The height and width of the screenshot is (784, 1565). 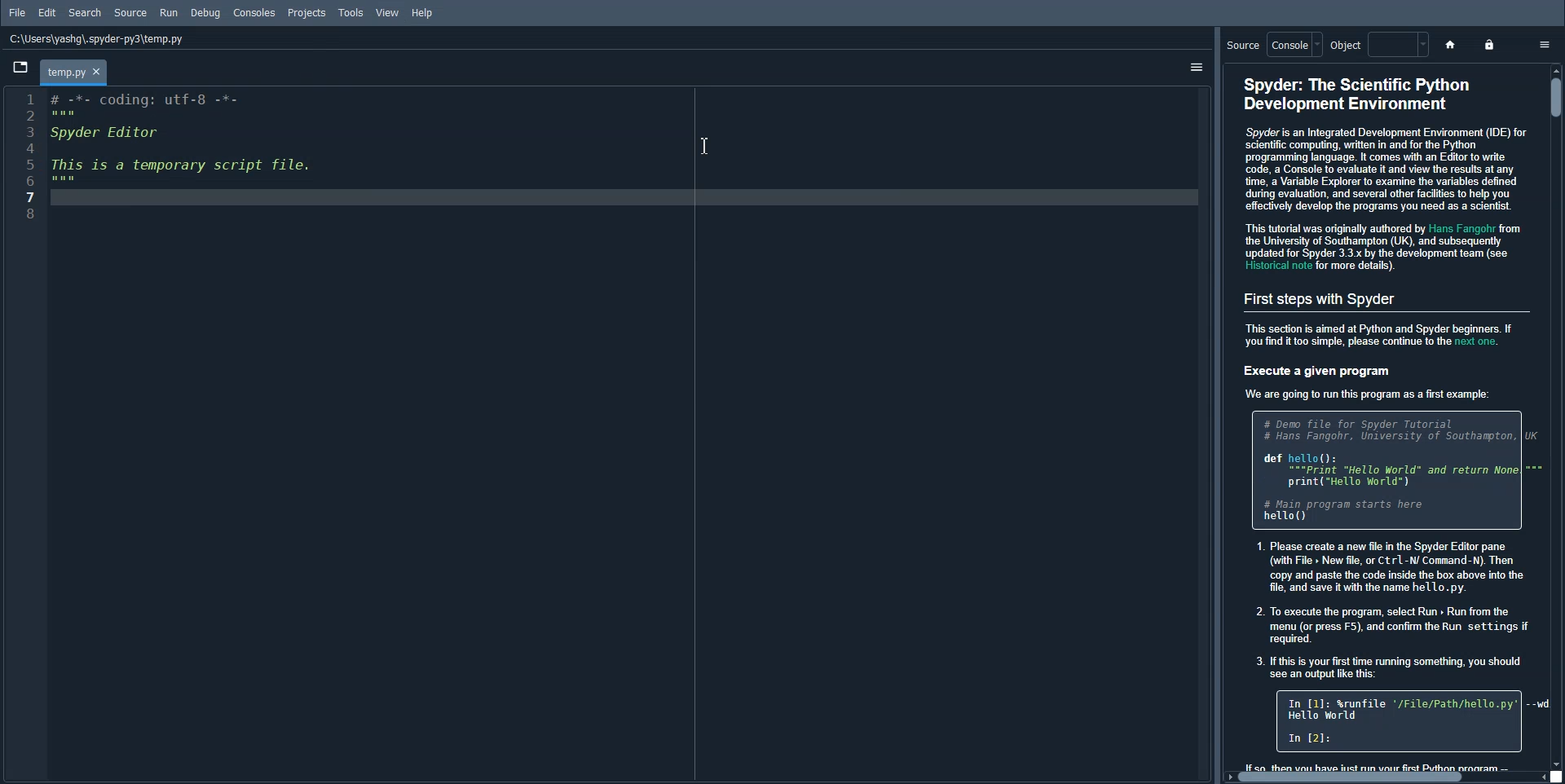 I want to click on Source, so click(x=131, y=13).